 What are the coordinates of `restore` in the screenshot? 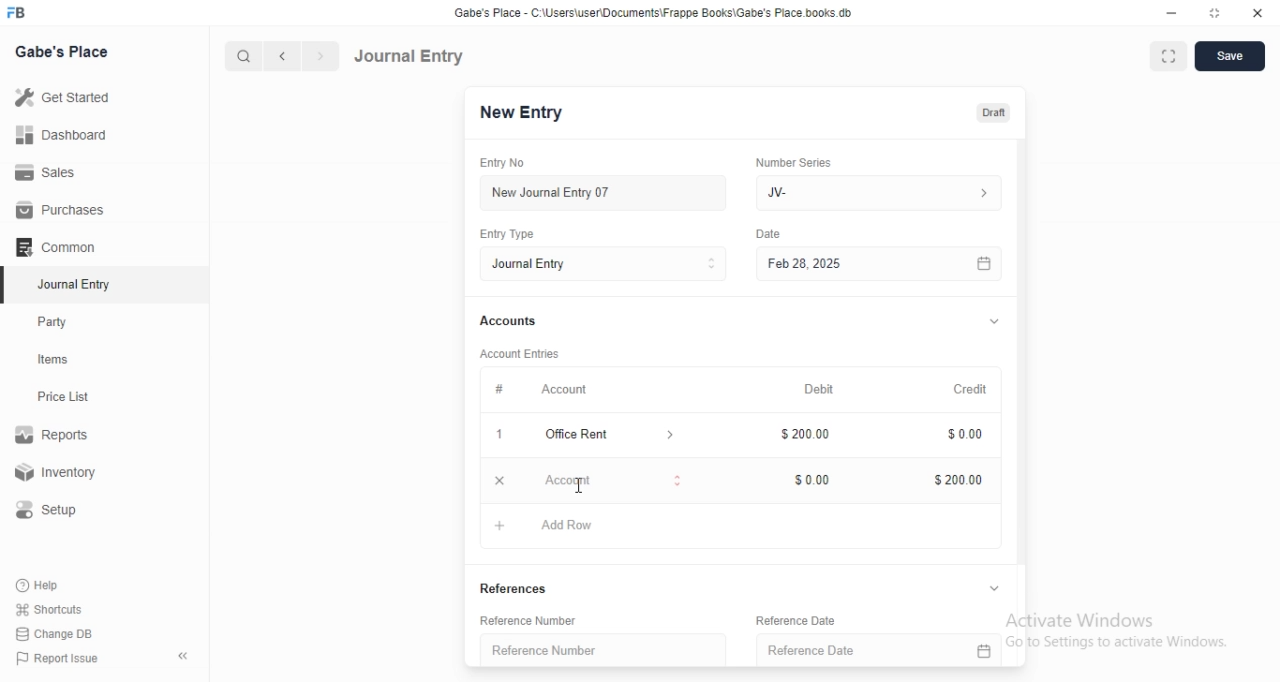 It's located at (1213, 12).